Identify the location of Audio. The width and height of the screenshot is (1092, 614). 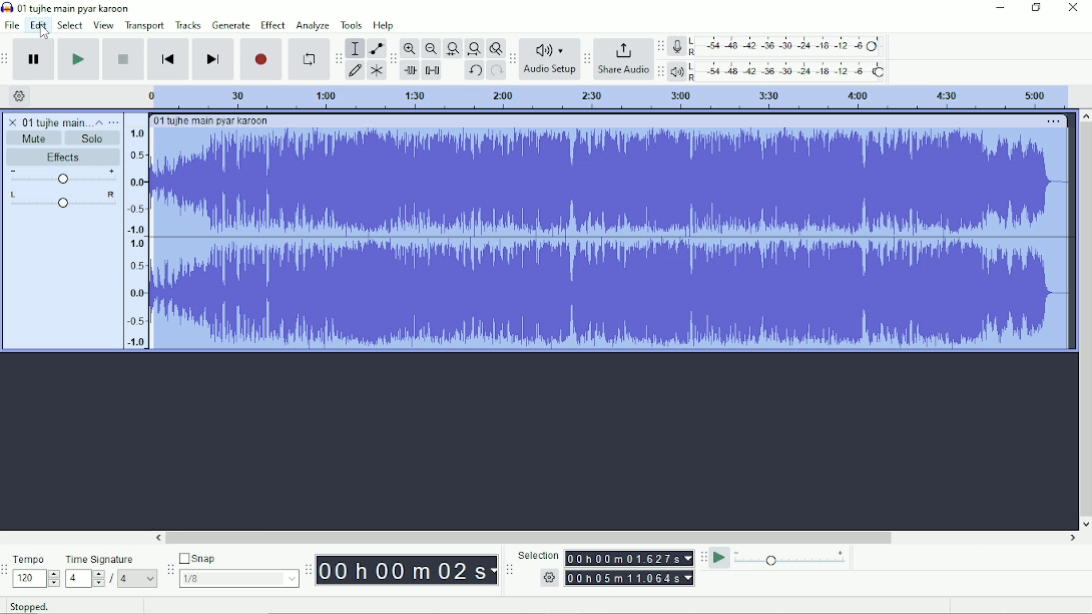
(612, 238).